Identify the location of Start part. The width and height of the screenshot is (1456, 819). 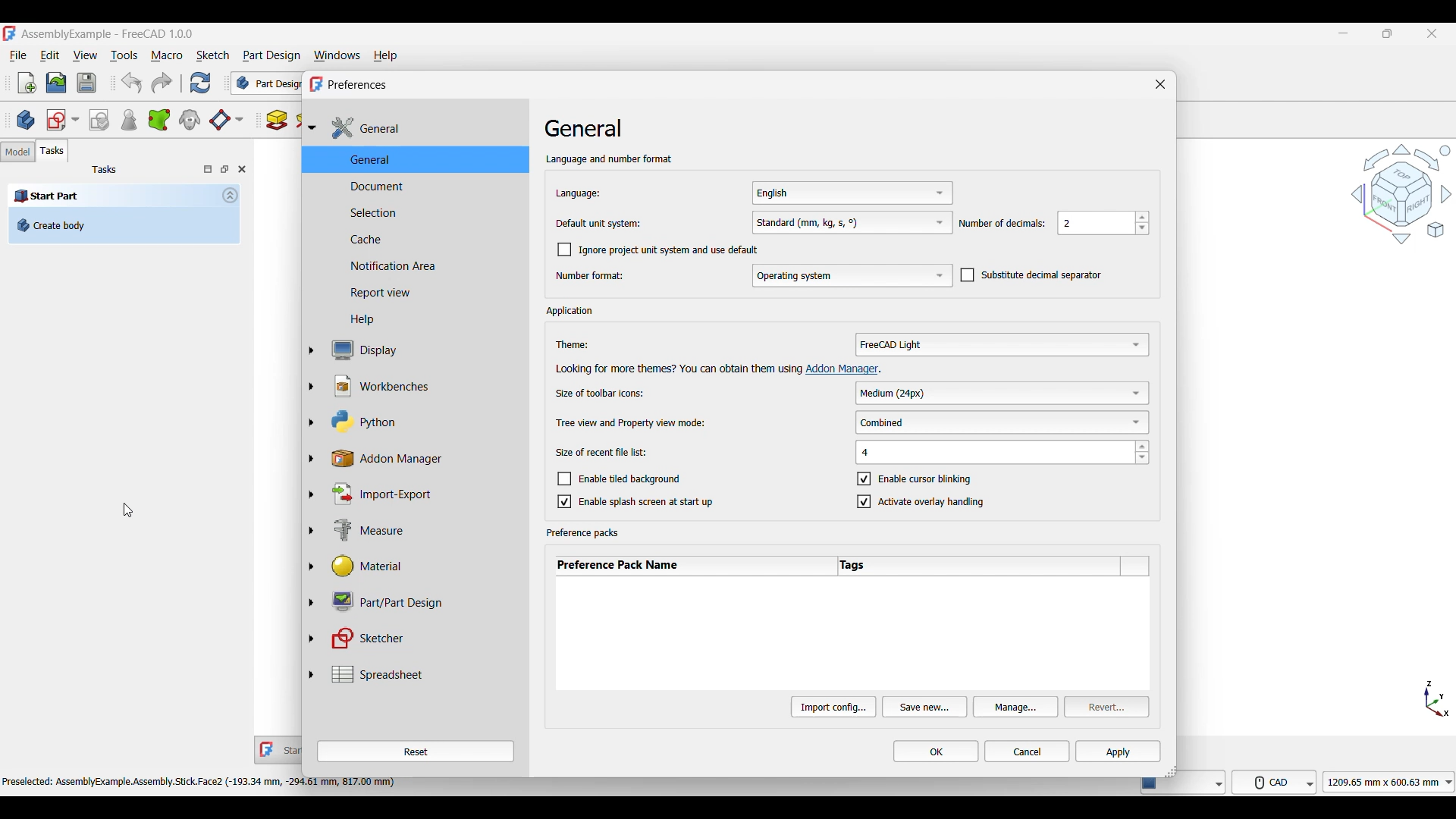
(112, 196).